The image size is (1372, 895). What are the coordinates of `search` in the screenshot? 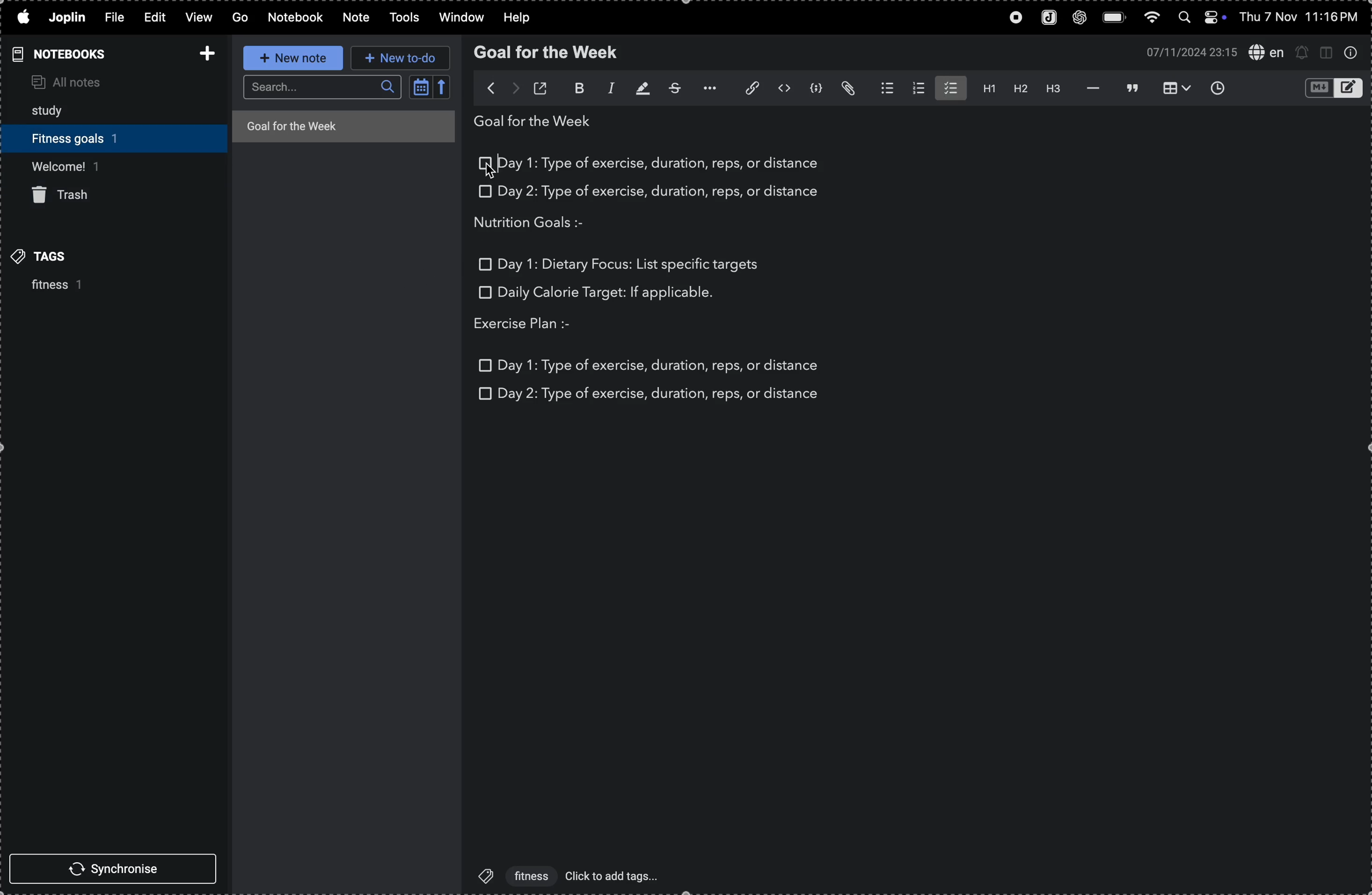 It's located at (322, 88).